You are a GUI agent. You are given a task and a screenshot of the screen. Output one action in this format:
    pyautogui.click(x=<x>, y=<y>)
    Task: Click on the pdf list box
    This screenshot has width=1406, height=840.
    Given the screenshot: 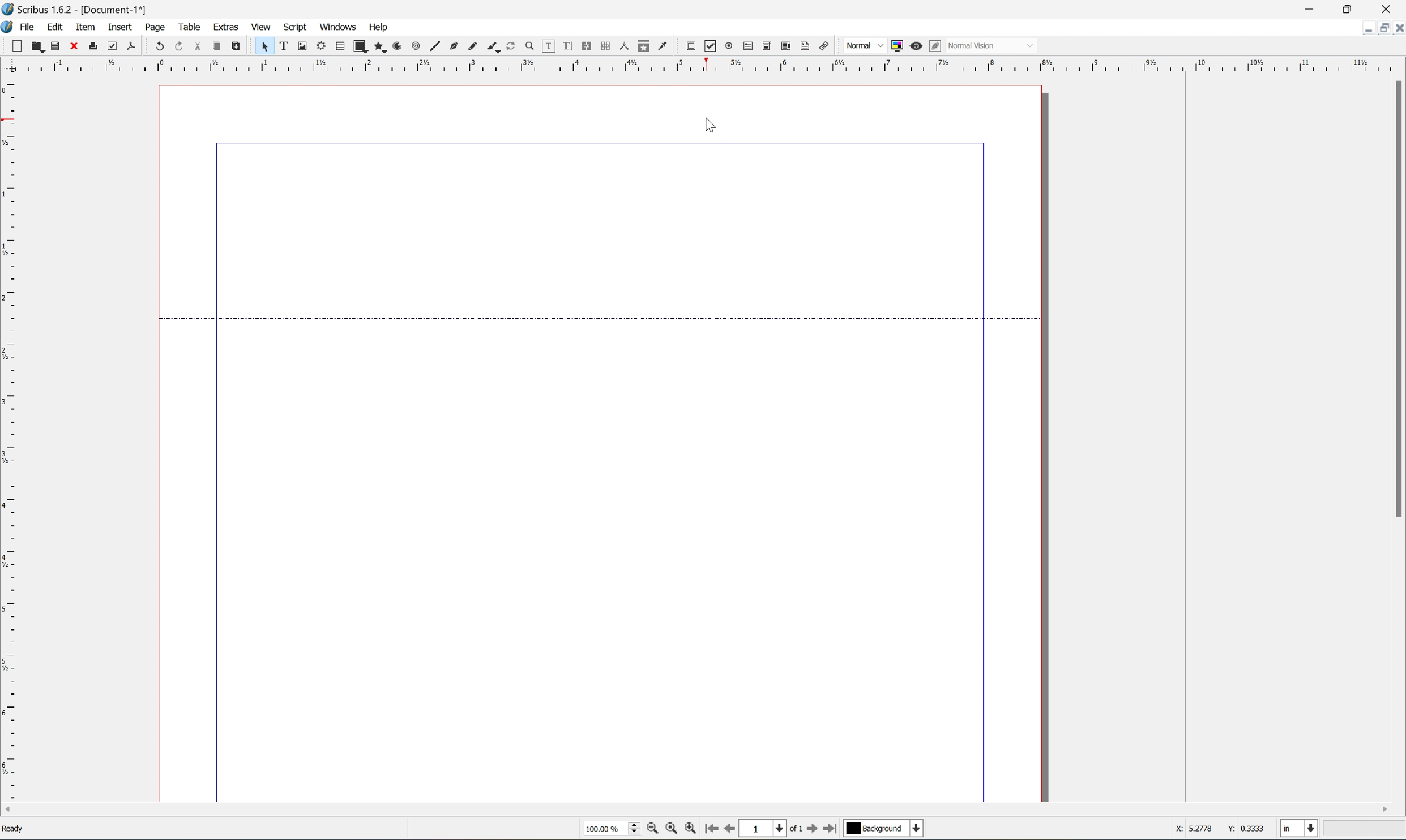 What is the action you would take?
    pyautogui.click(x=788, y=46)
    